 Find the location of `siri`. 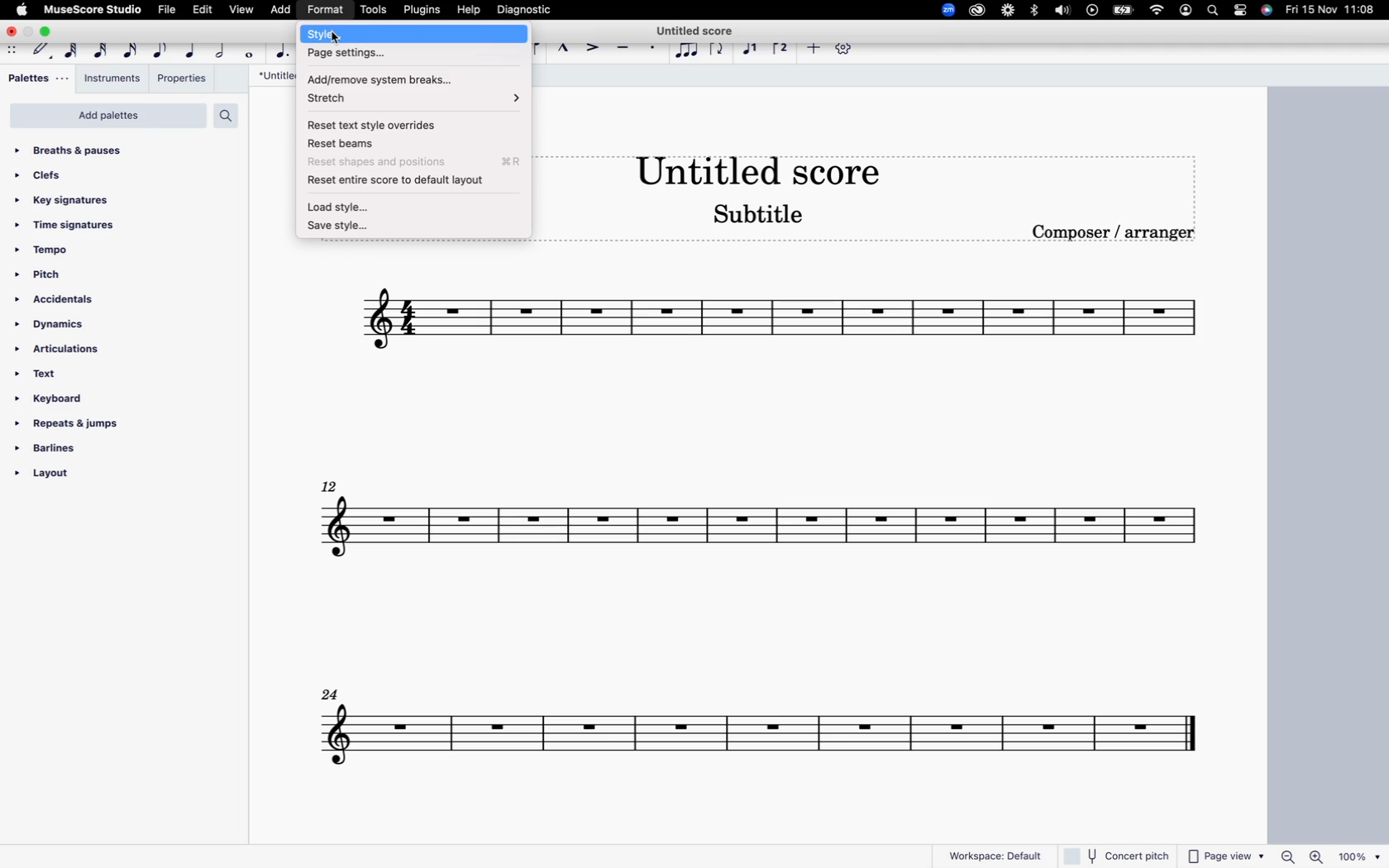

siri is located at coordinates (1267, 12).